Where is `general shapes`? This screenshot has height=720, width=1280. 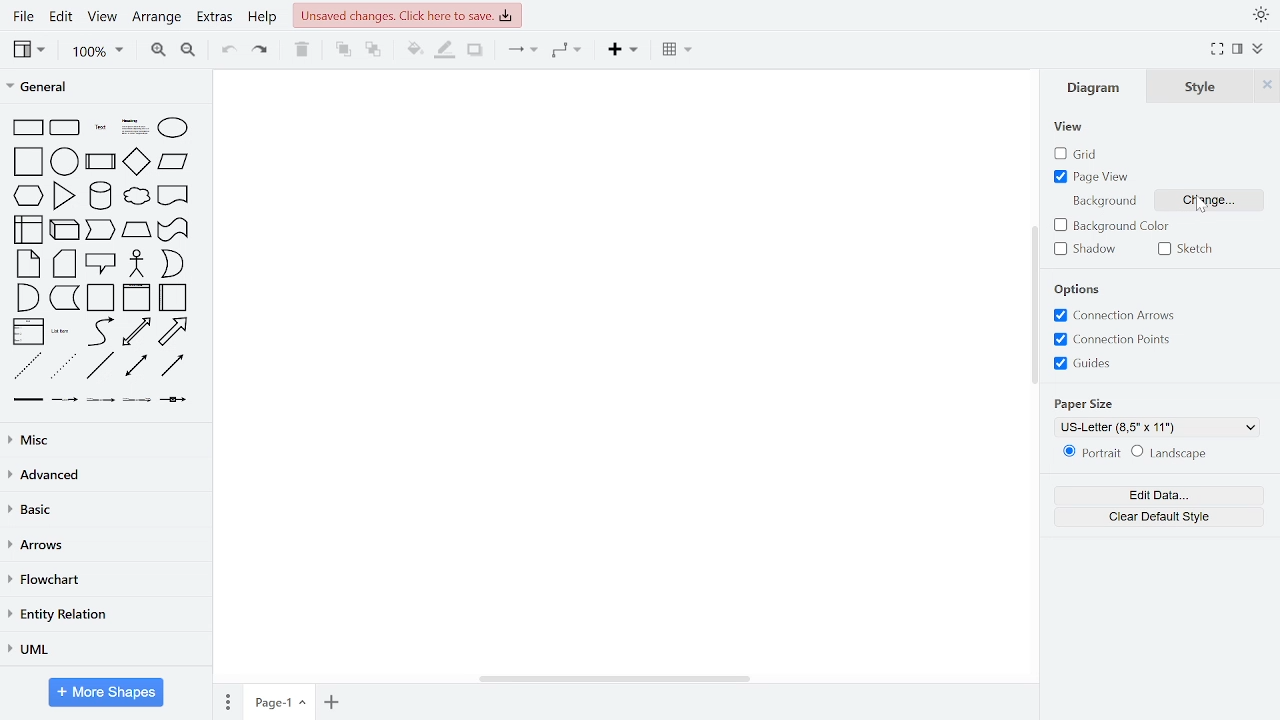
general shapes is located at coordinates (101, 296).